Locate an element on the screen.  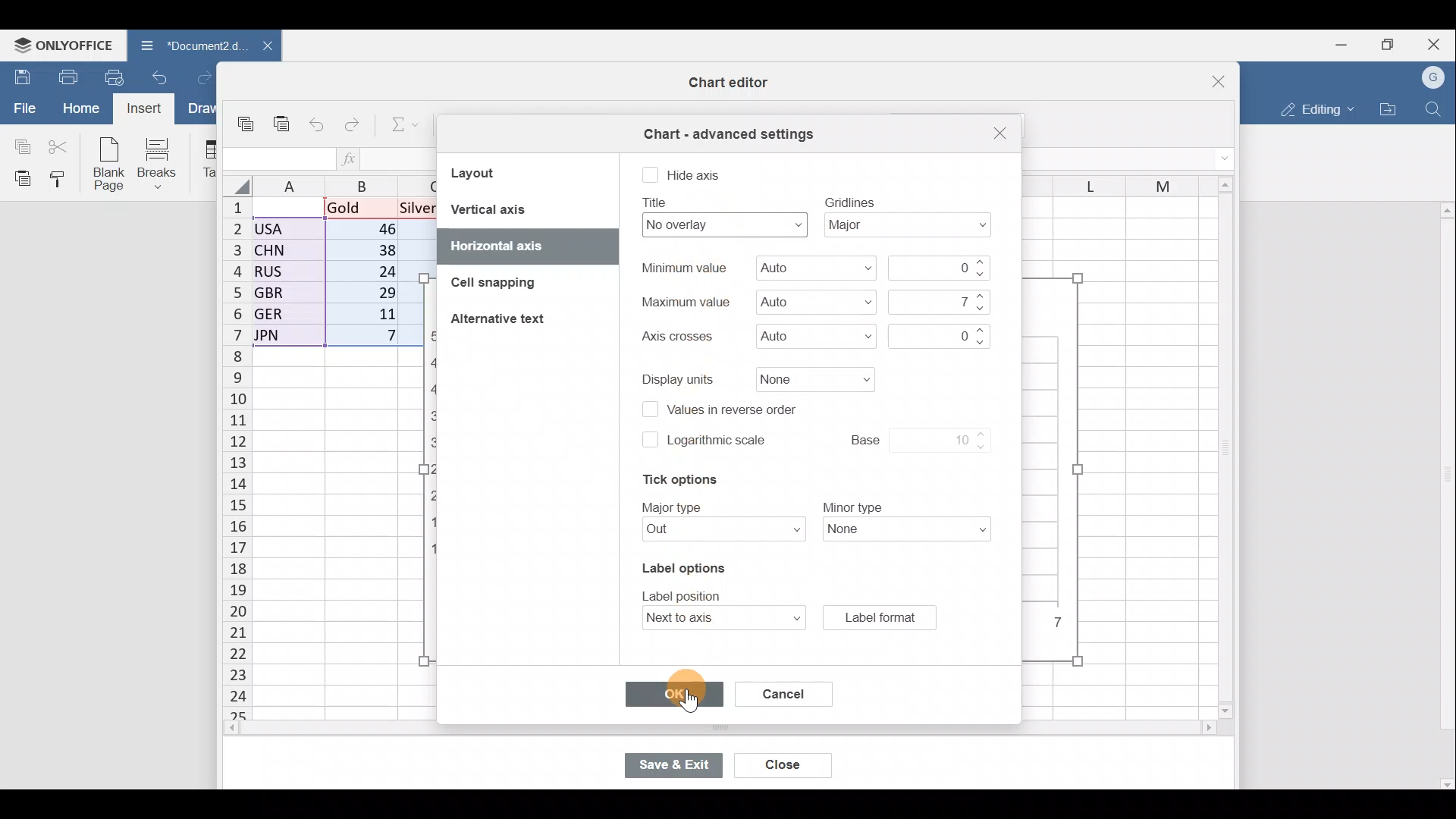
Blank page is located at coordinates (111, 165).